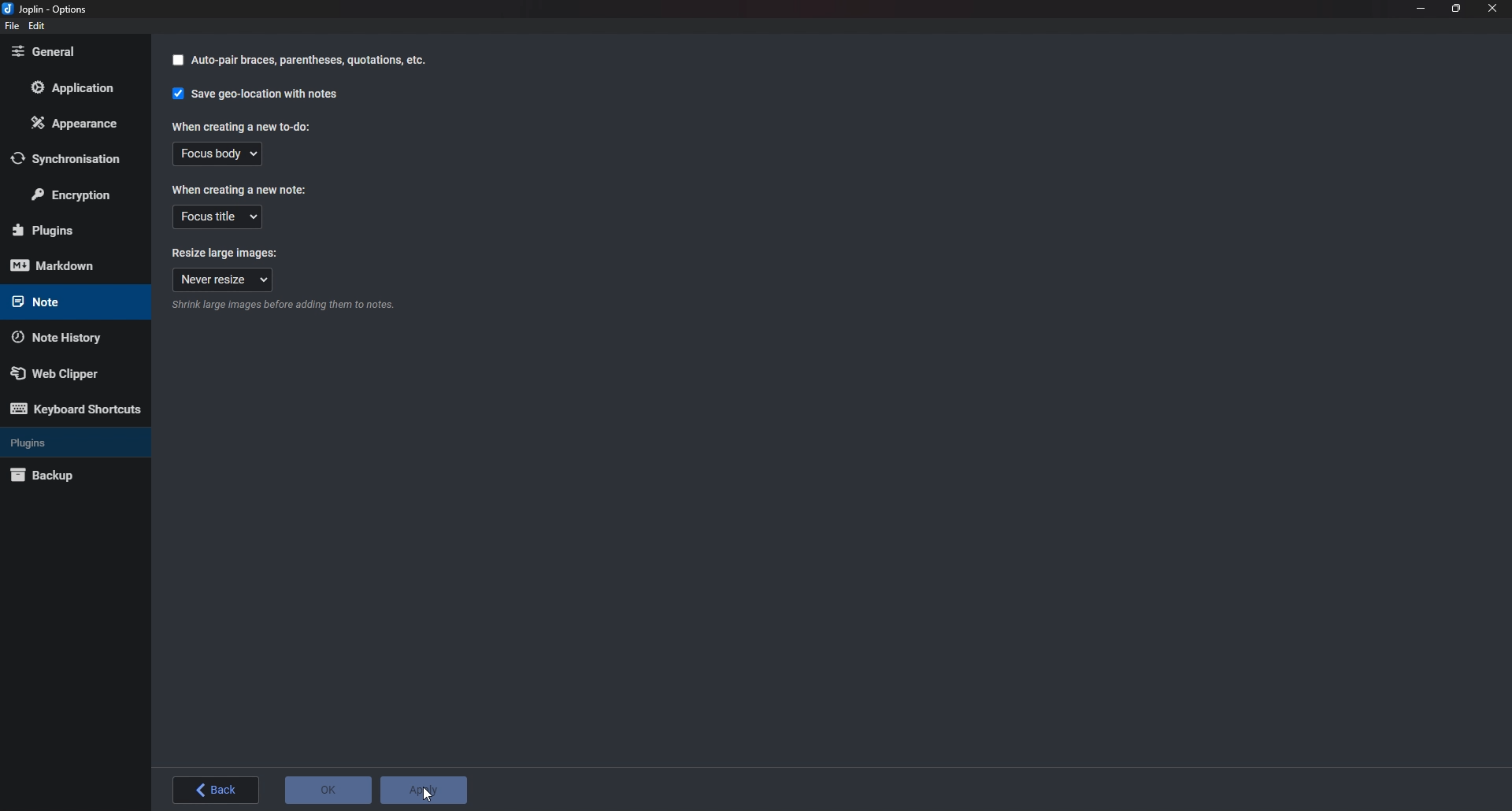  Describe the element at coordinates (73, 52) in the screenshot. I see `General` at that location.